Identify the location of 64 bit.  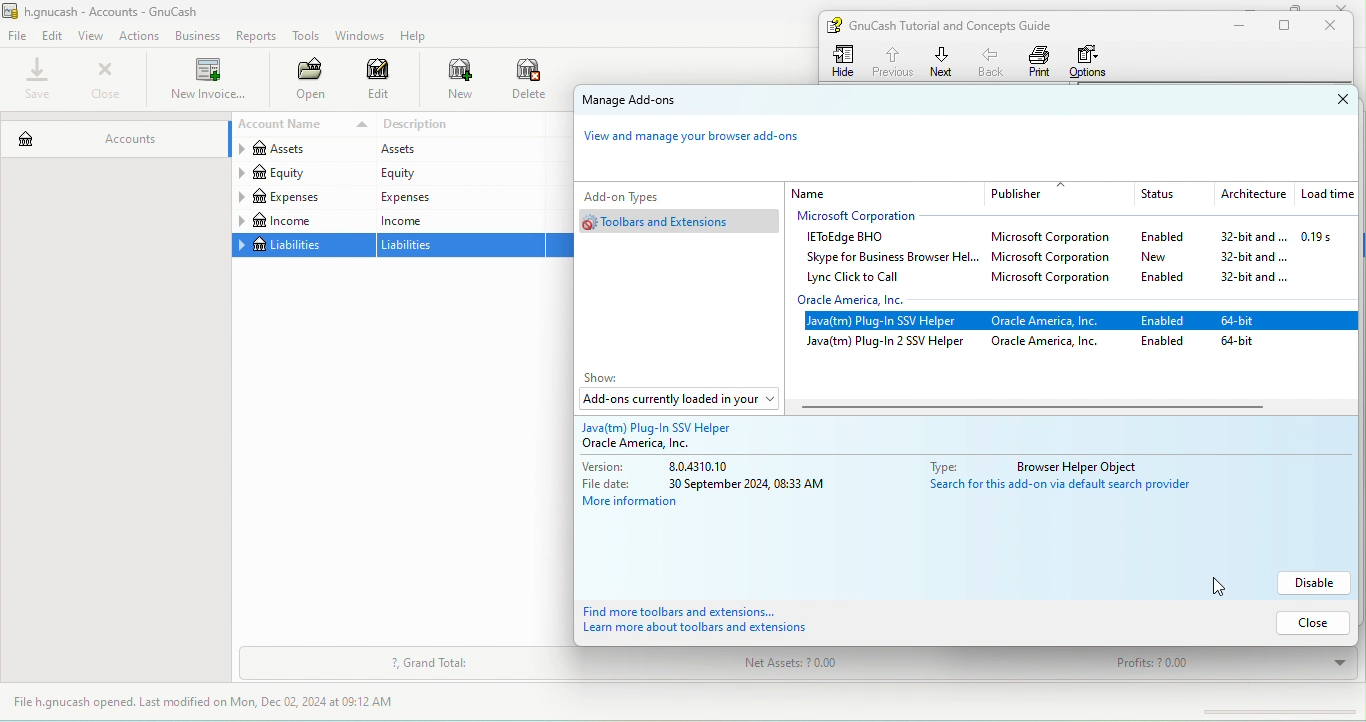
(1244, 319).